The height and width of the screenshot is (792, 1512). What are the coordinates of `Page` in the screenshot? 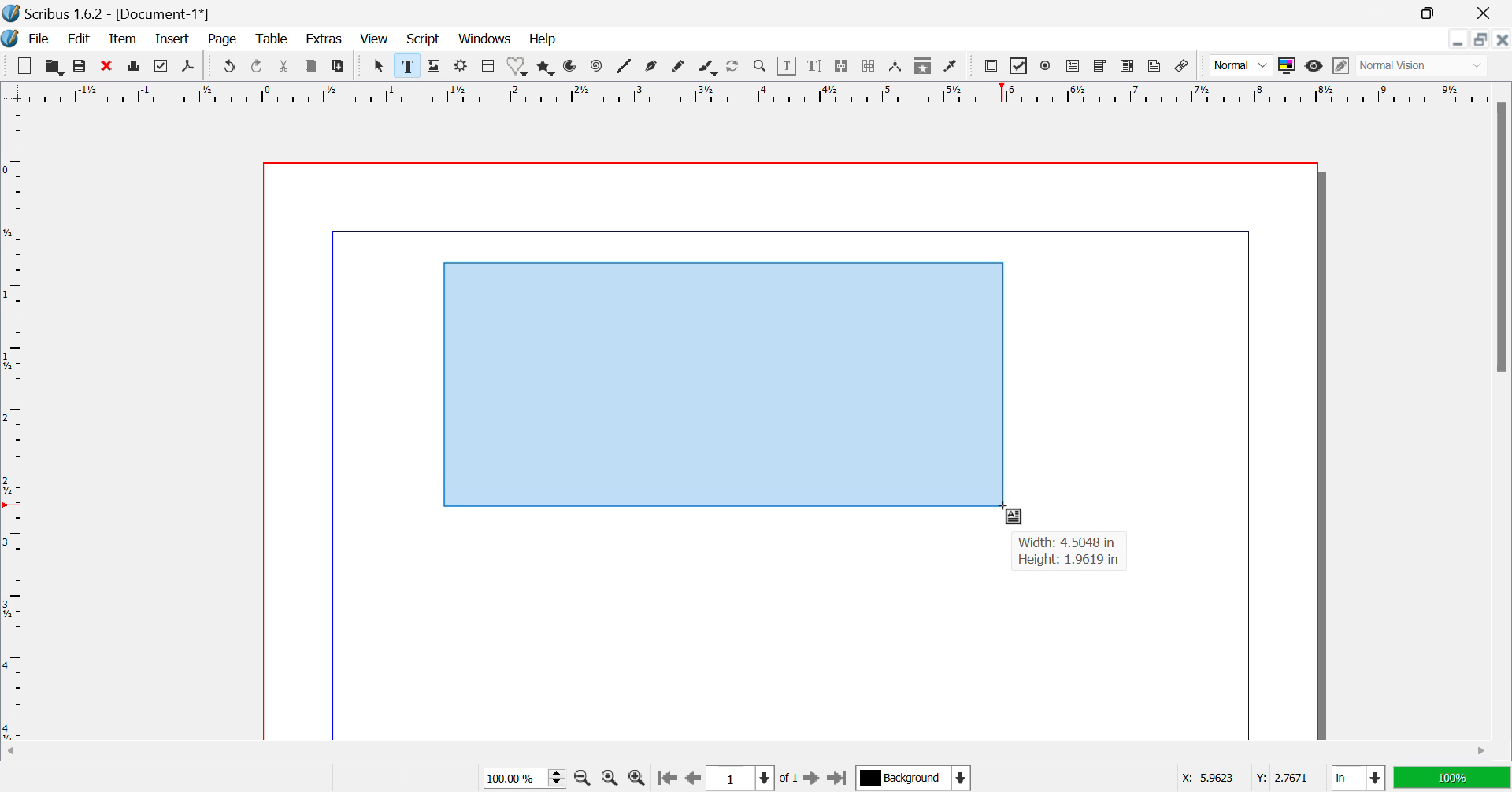 It's located at (225, 41).